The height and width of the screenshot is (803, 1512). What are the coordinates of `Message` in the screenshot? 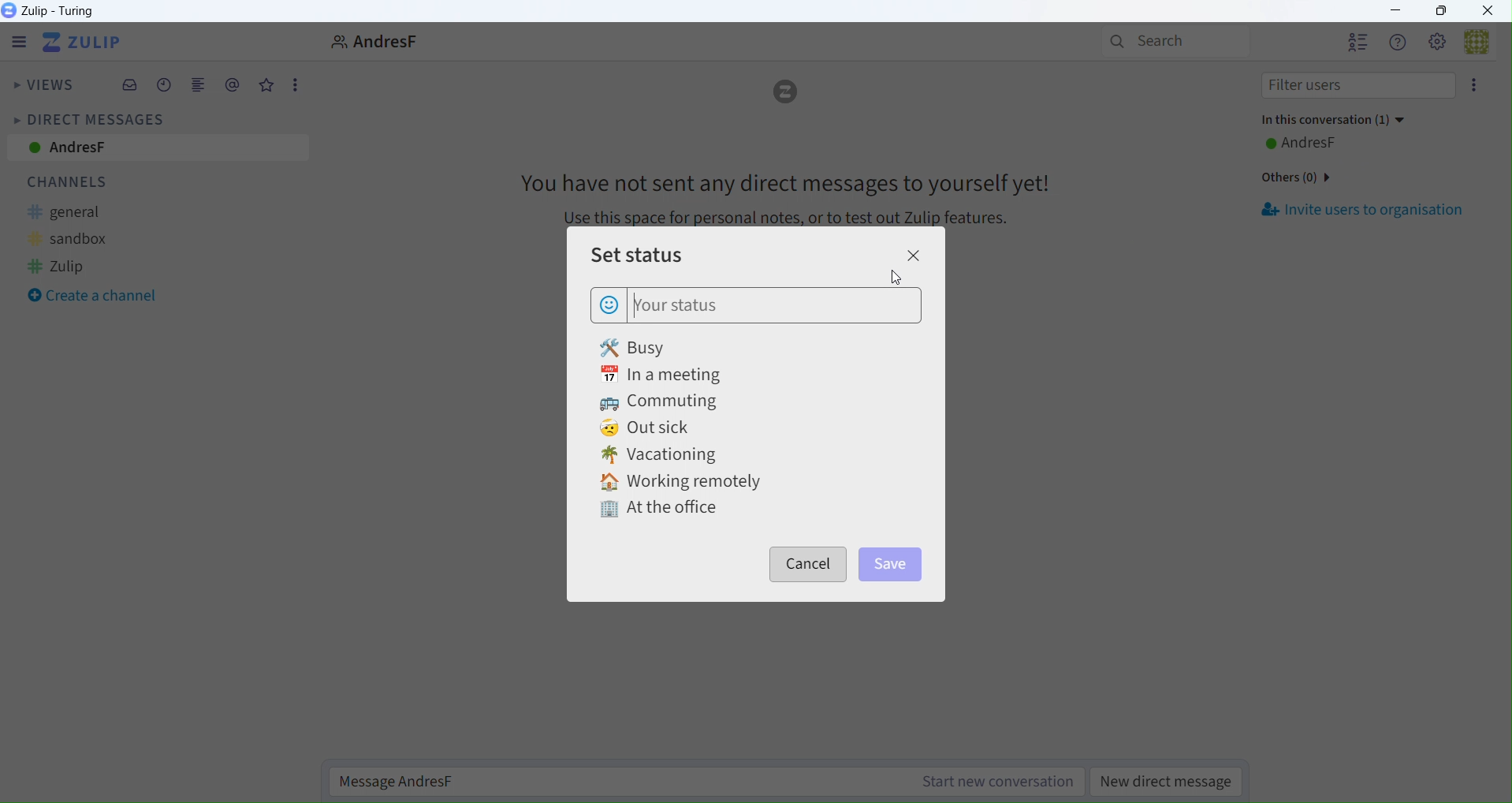 It's located at (780, 192).